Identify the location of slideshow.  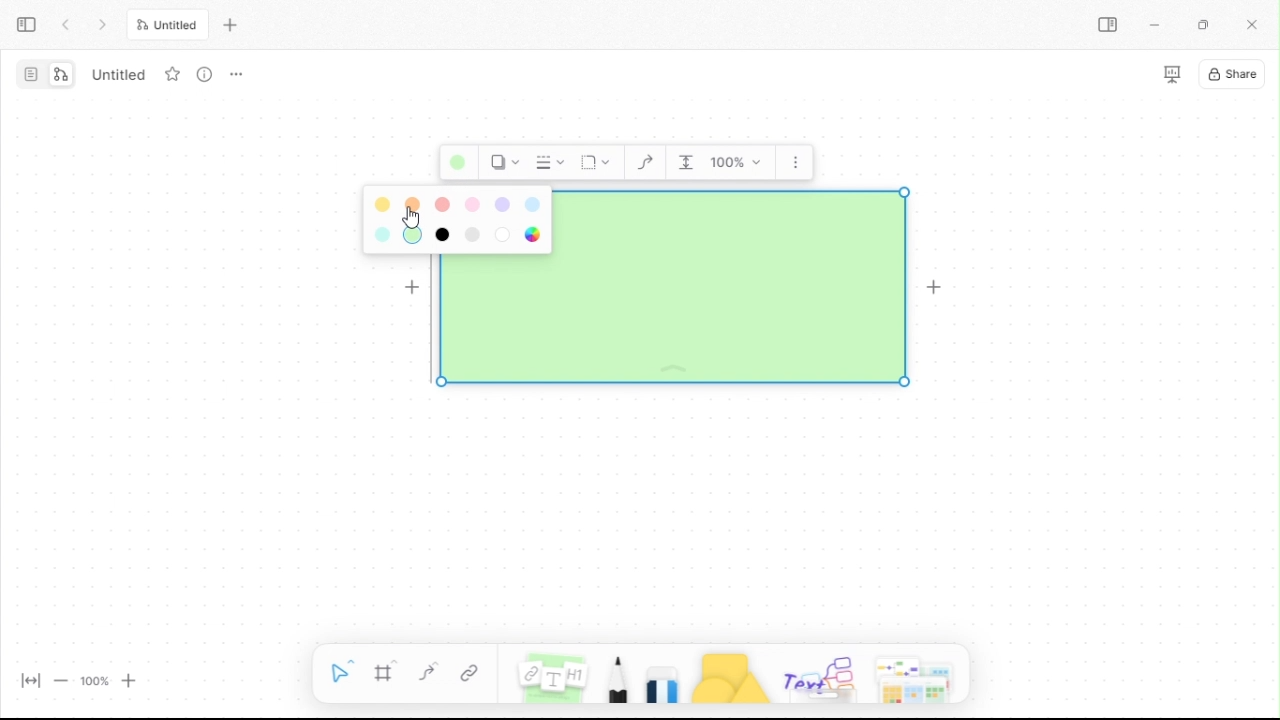
(1169, 73).